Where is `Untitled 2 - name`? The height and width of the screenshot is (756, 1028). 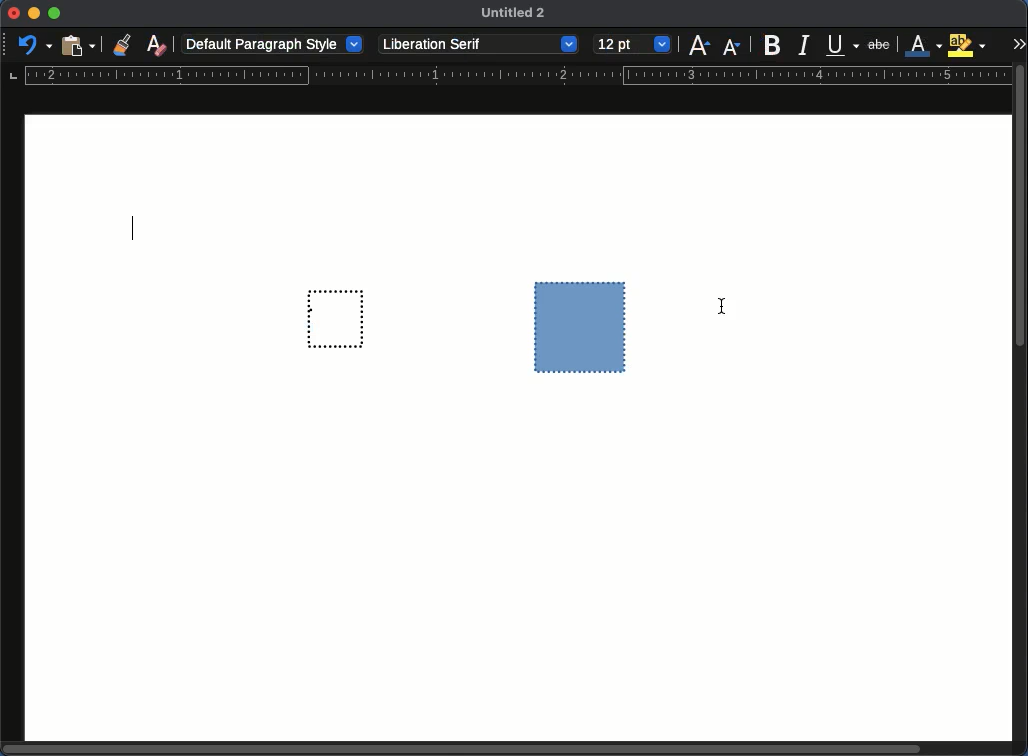
Untitled 2 - name is located at coordinates (515, 11).